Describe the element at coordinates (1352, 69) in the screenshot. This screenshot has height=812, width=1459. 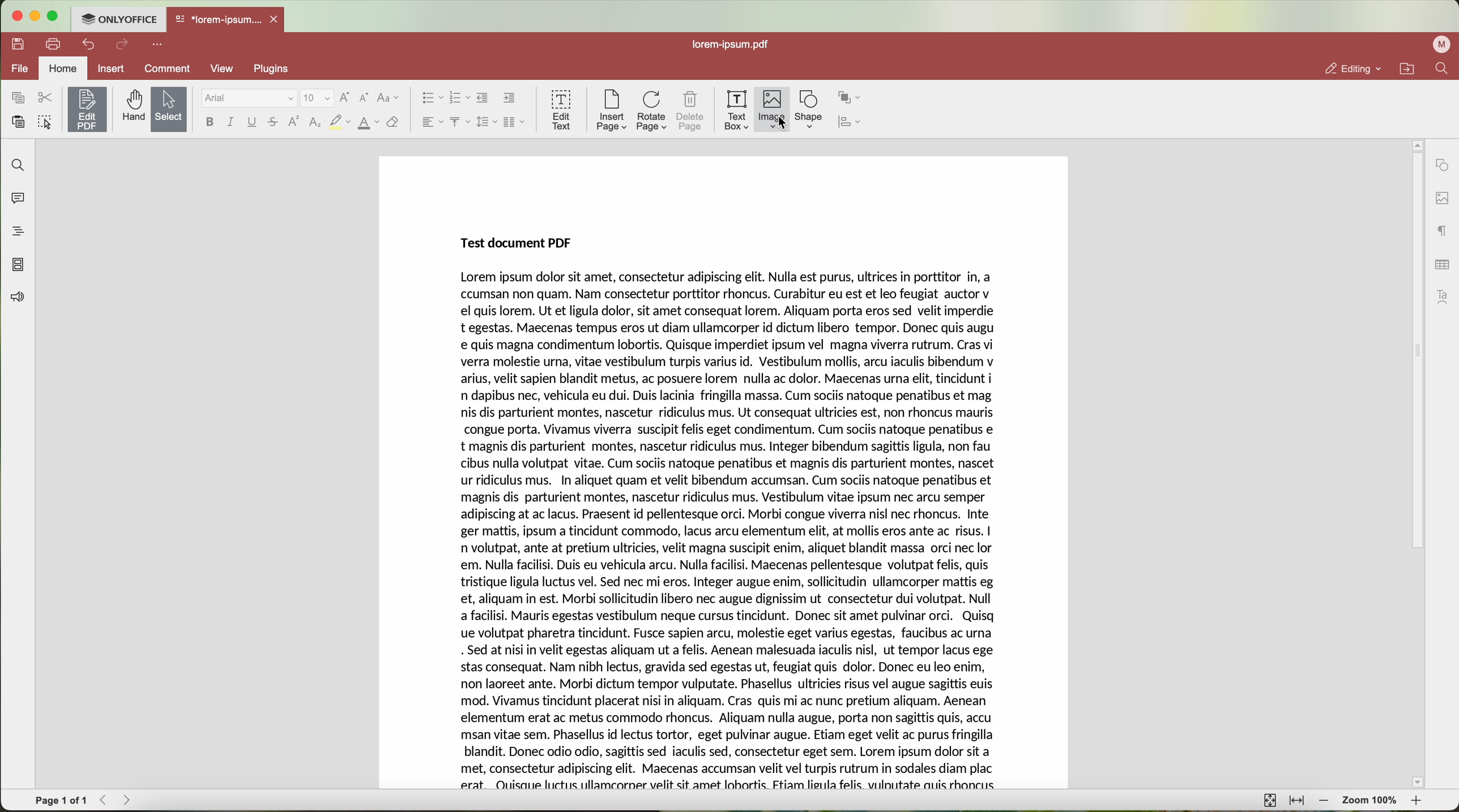
I see `editing` at that location.